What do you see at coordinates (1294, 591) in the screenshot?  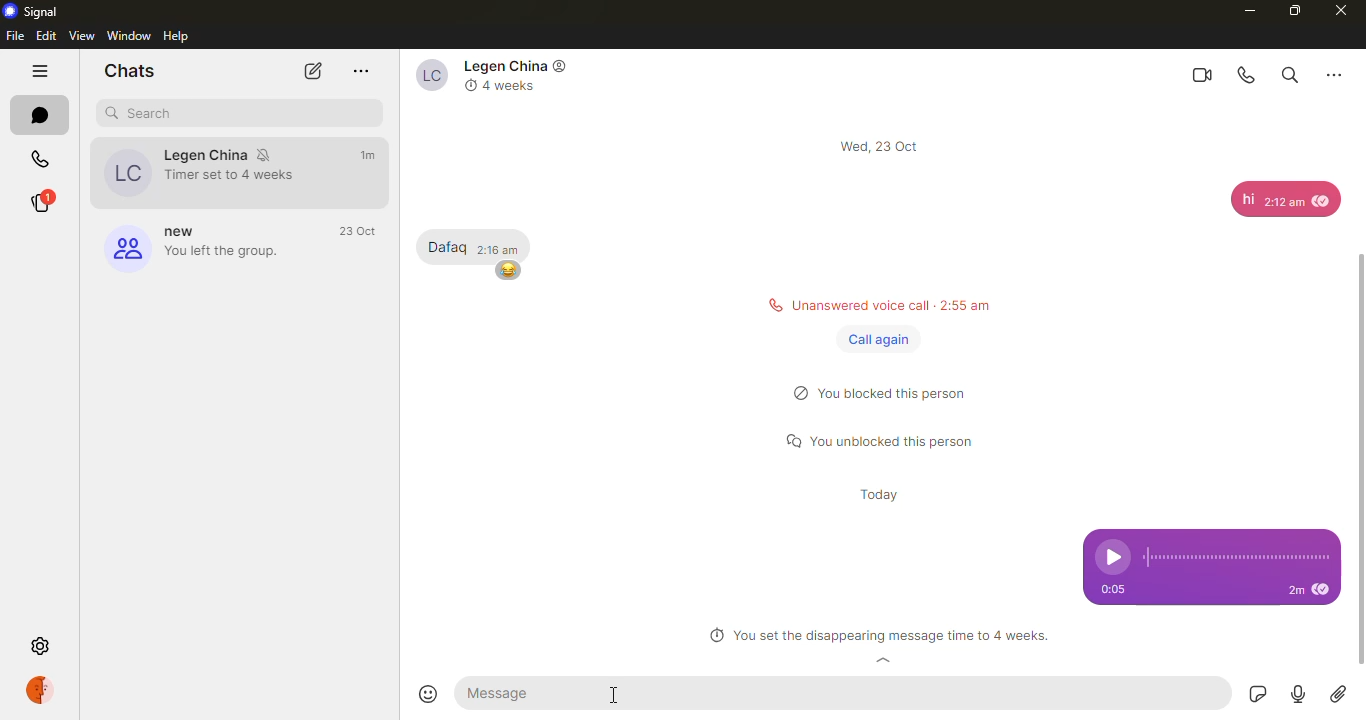 I see `2m` at bounding box center [1294, 591].